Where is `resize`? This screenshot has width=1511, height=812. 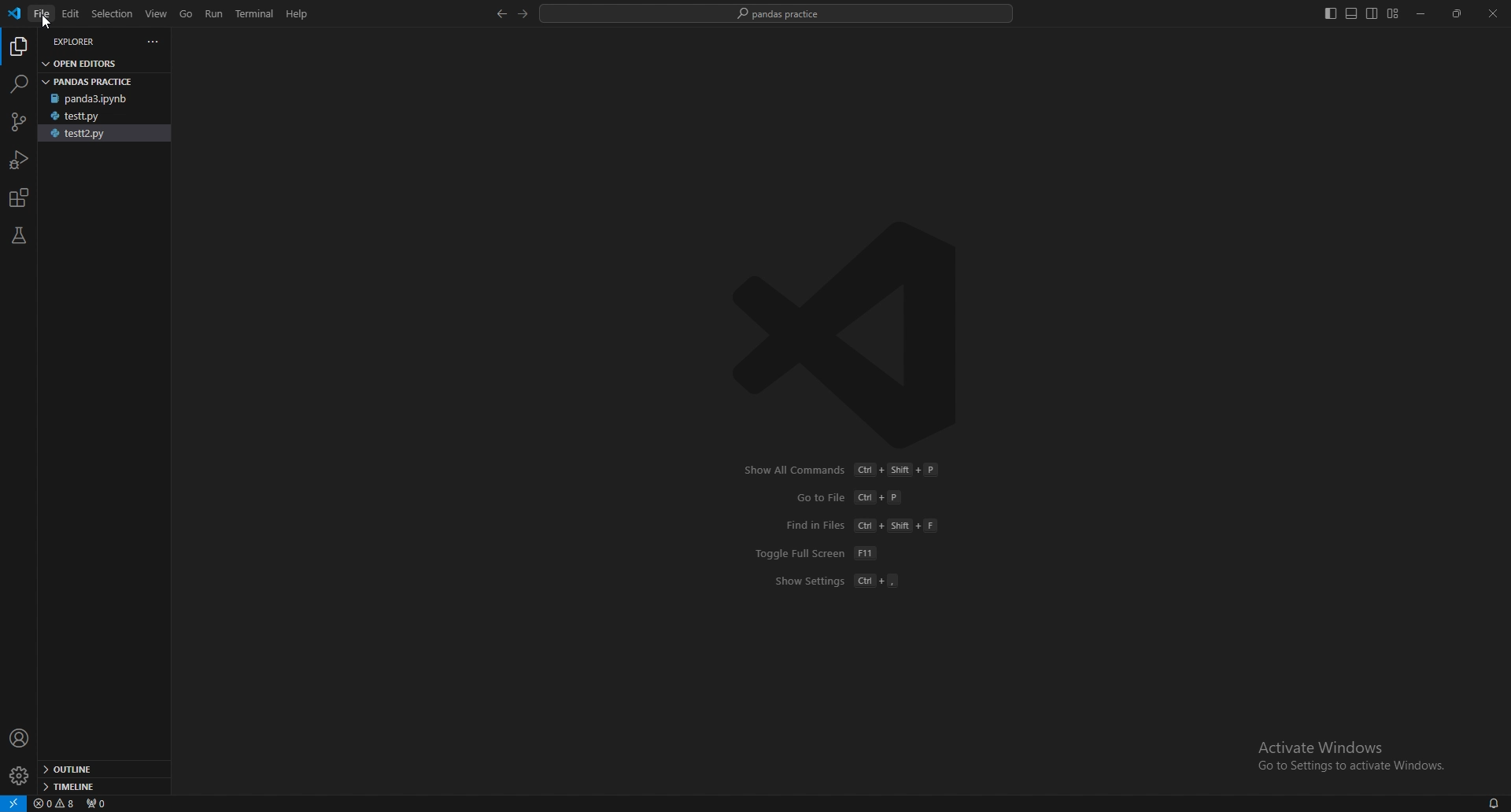 resize is located at coordinates (1459, 13).